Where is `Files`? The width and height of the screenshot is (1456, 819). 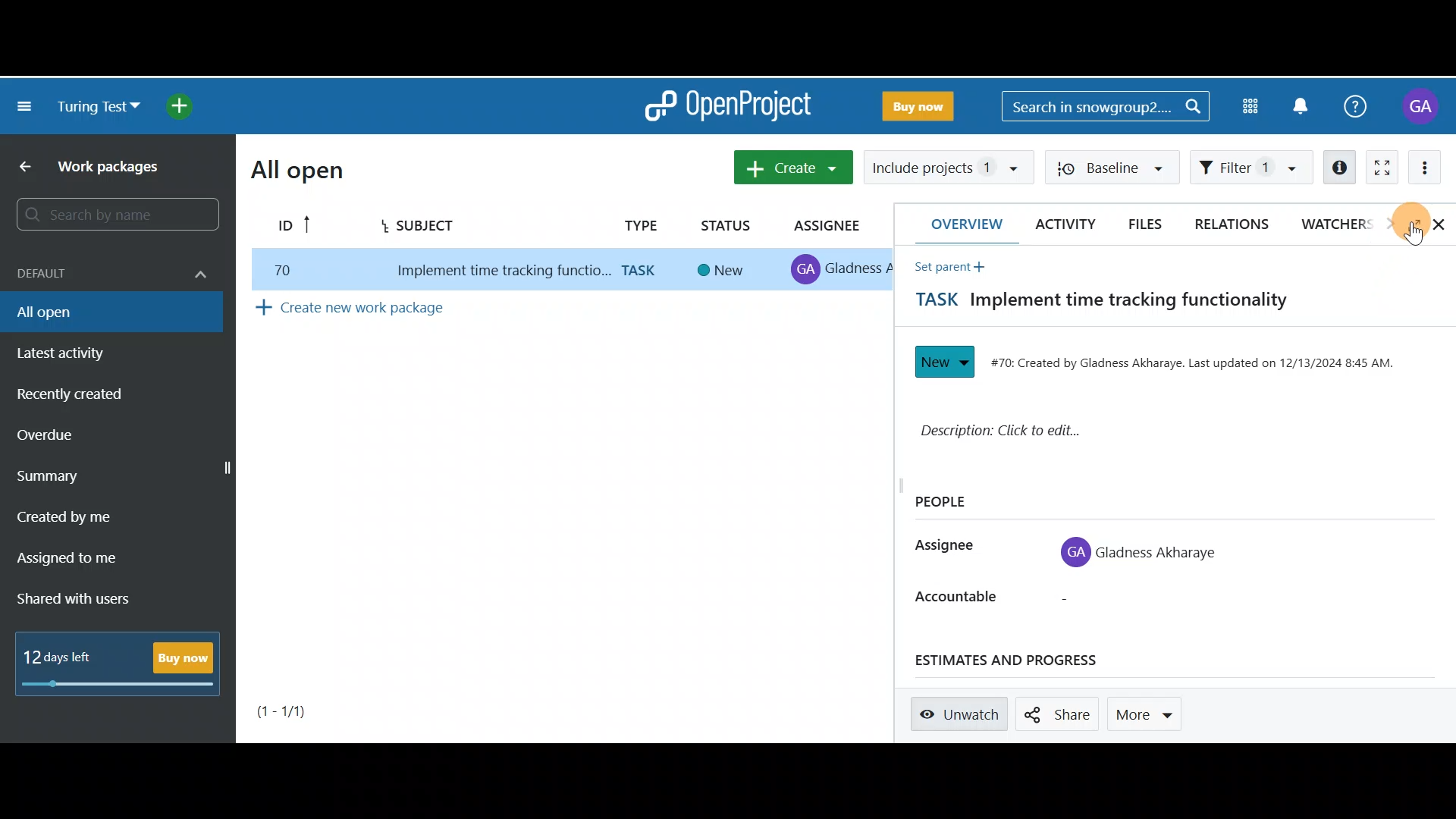 Files is located at coordinates (1146, 227).